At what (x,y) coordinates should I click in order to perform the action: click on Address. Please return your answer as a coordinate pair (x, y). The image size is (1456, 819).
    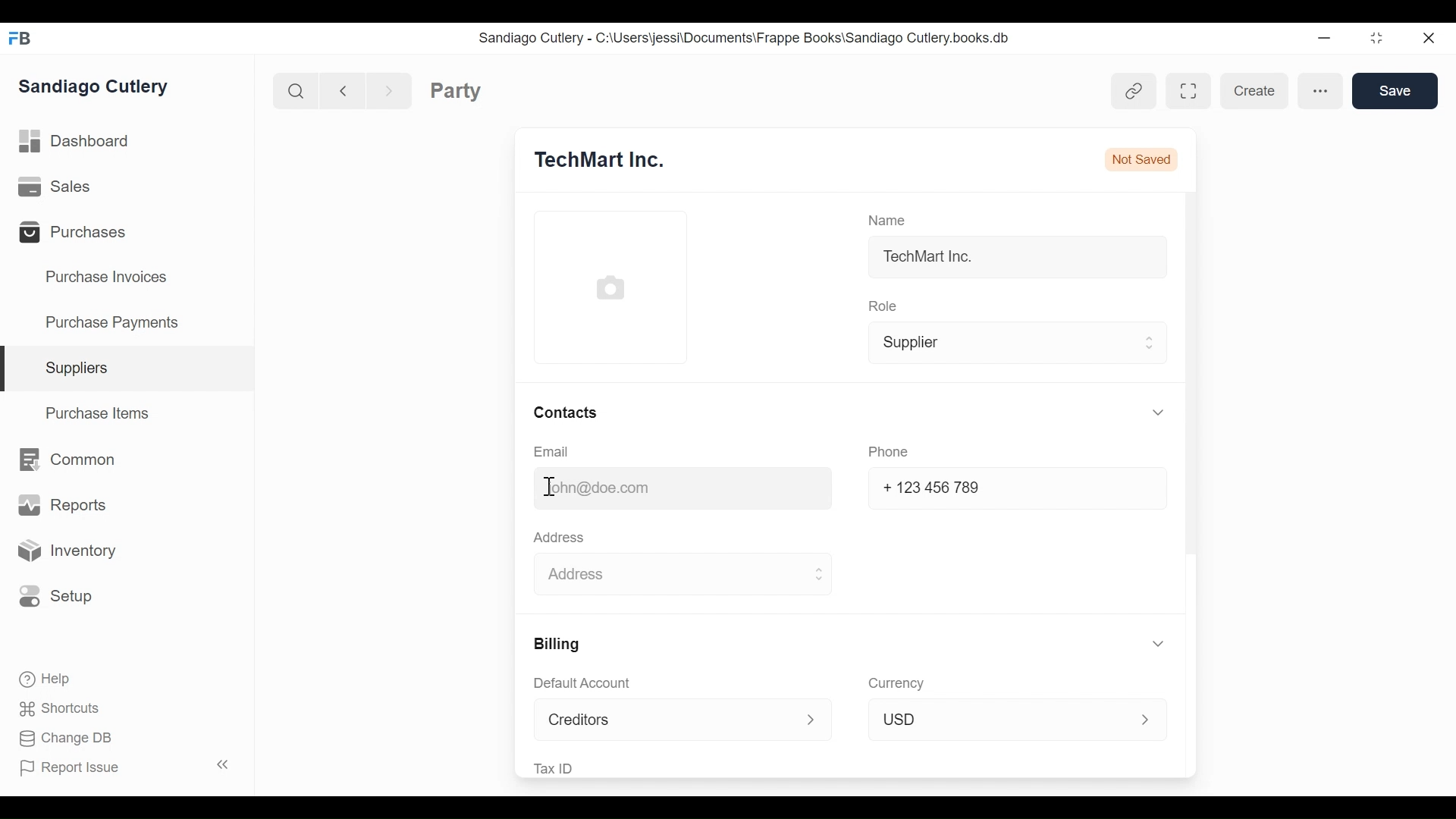
    Looking at the image, I should click on (564, 540).